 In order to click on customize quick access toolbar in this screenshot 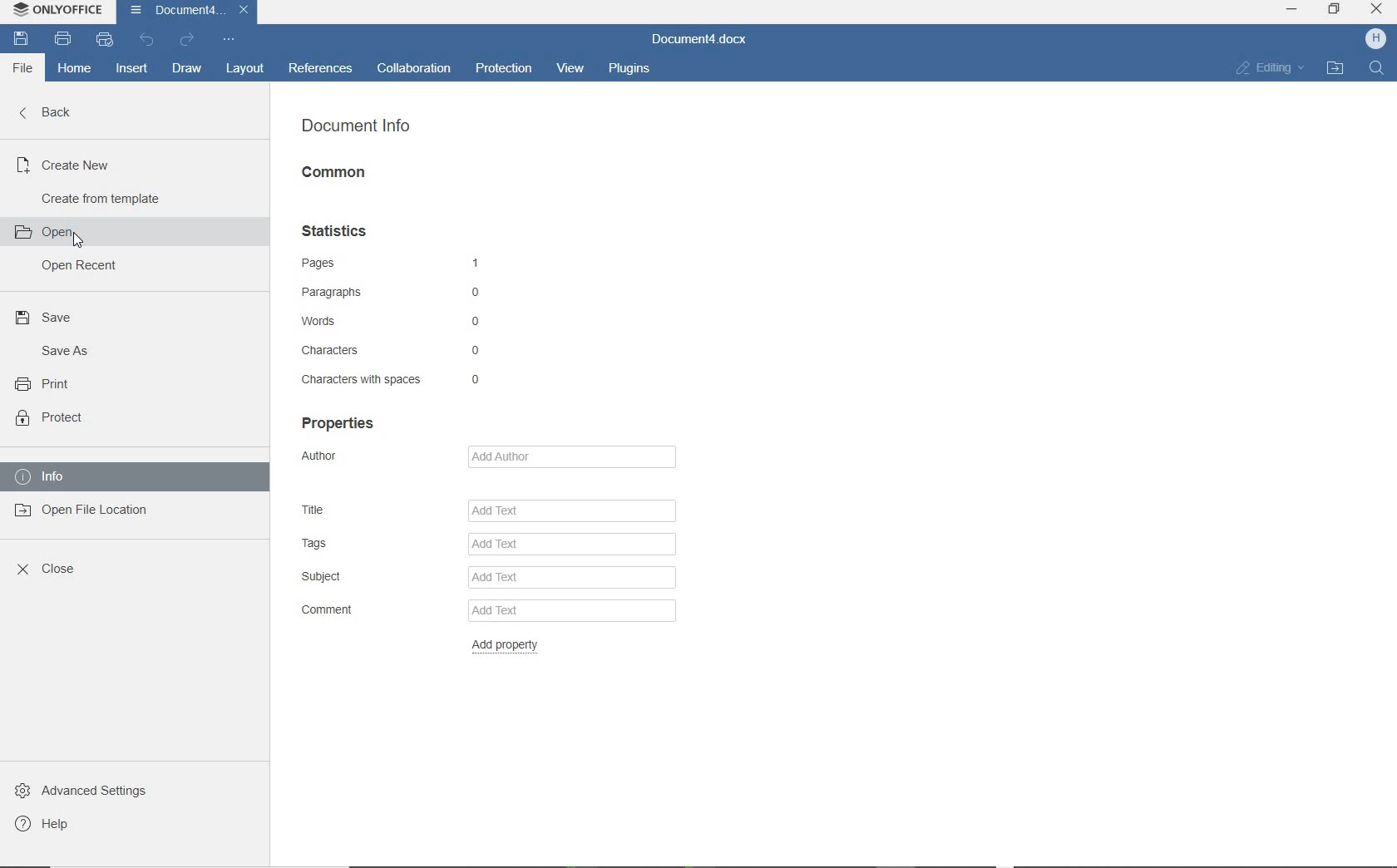, I will do `click(229, 40)`.